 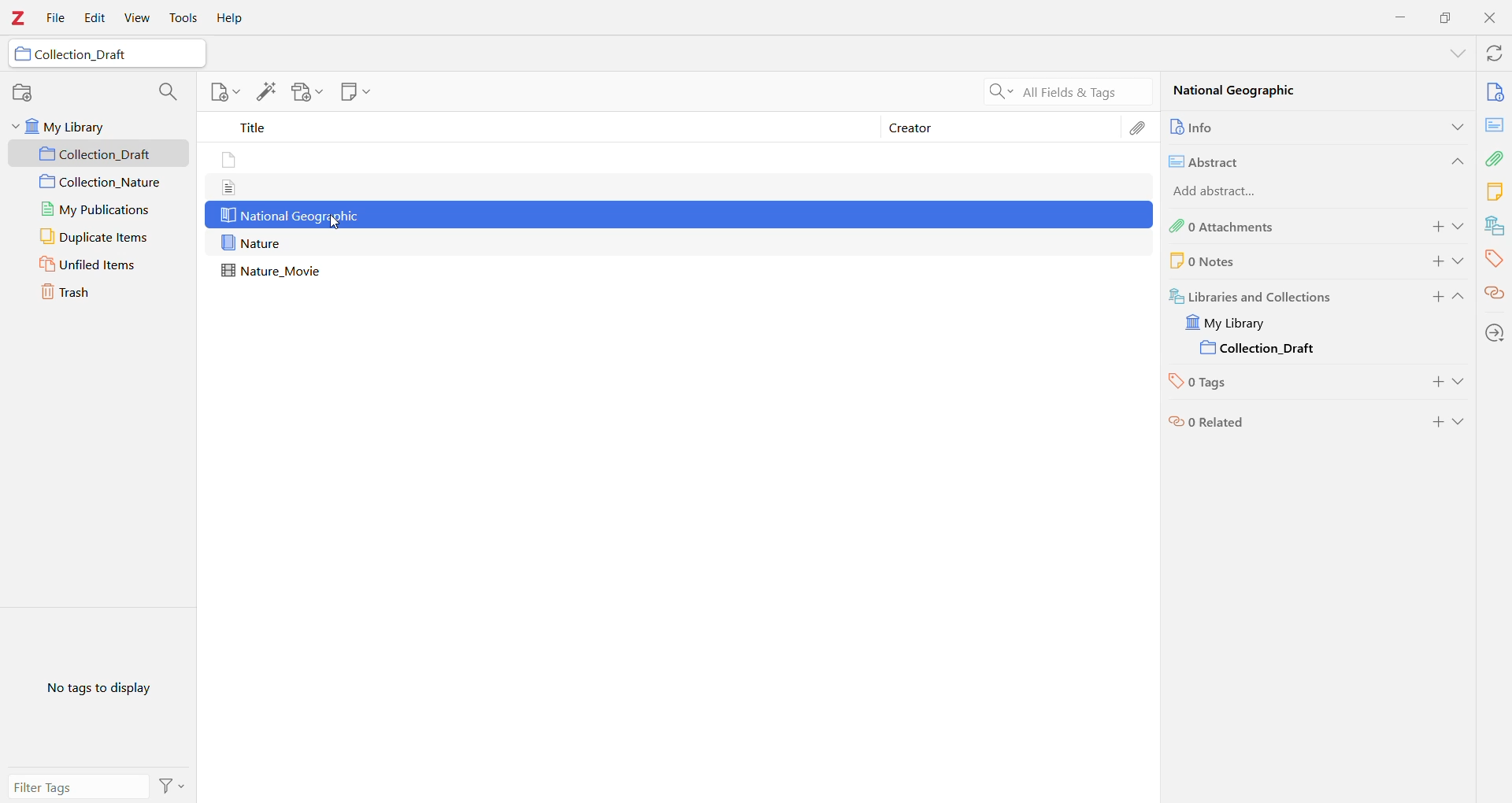 What do you see at coordinates (1257, 261) in the screenshot?
I see `0 Notes` at bounding box center [1257, 261].